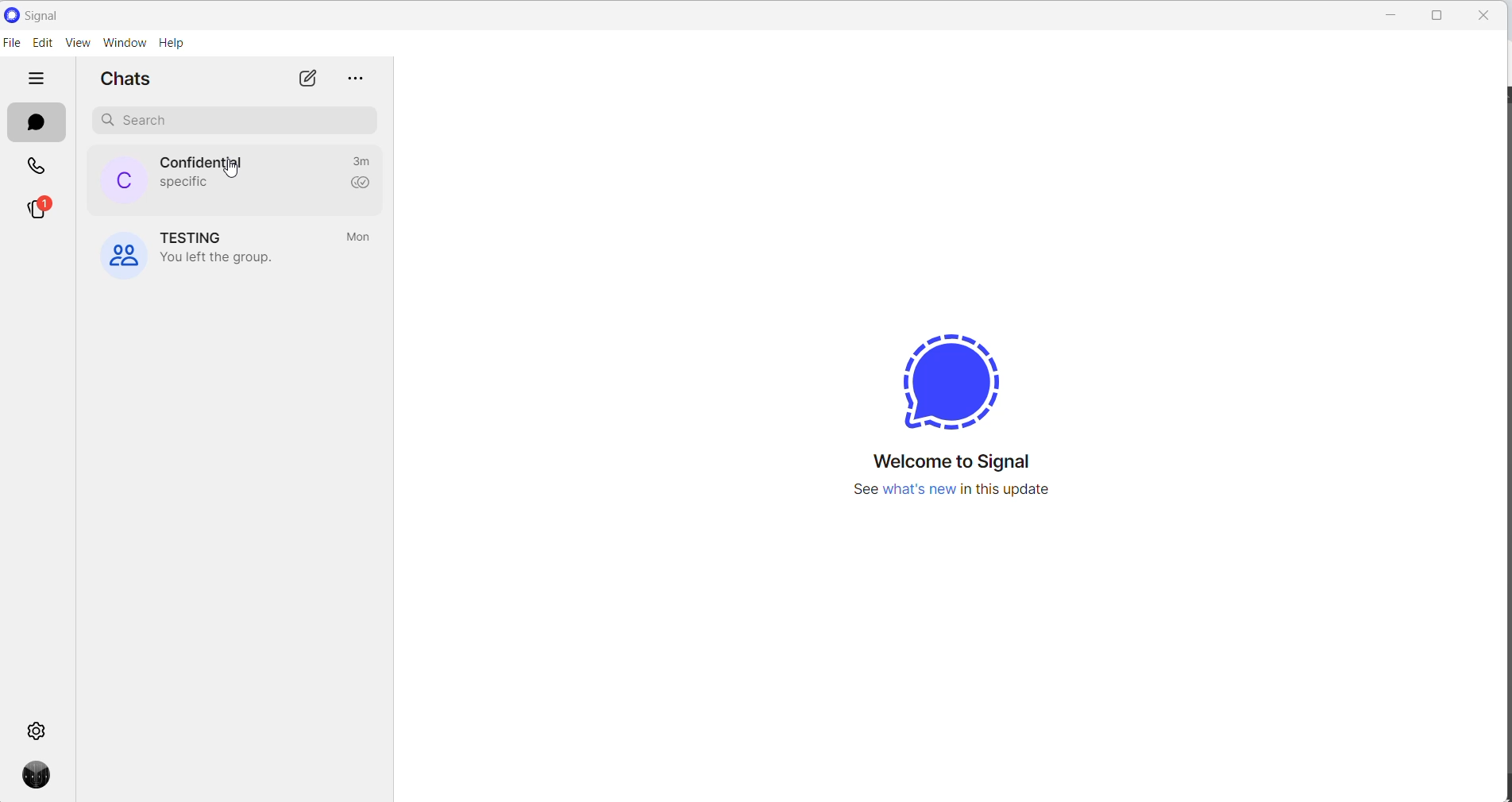  Describe the element at coordinates (39, 210) in the screenshot. I see `stories` at that location.